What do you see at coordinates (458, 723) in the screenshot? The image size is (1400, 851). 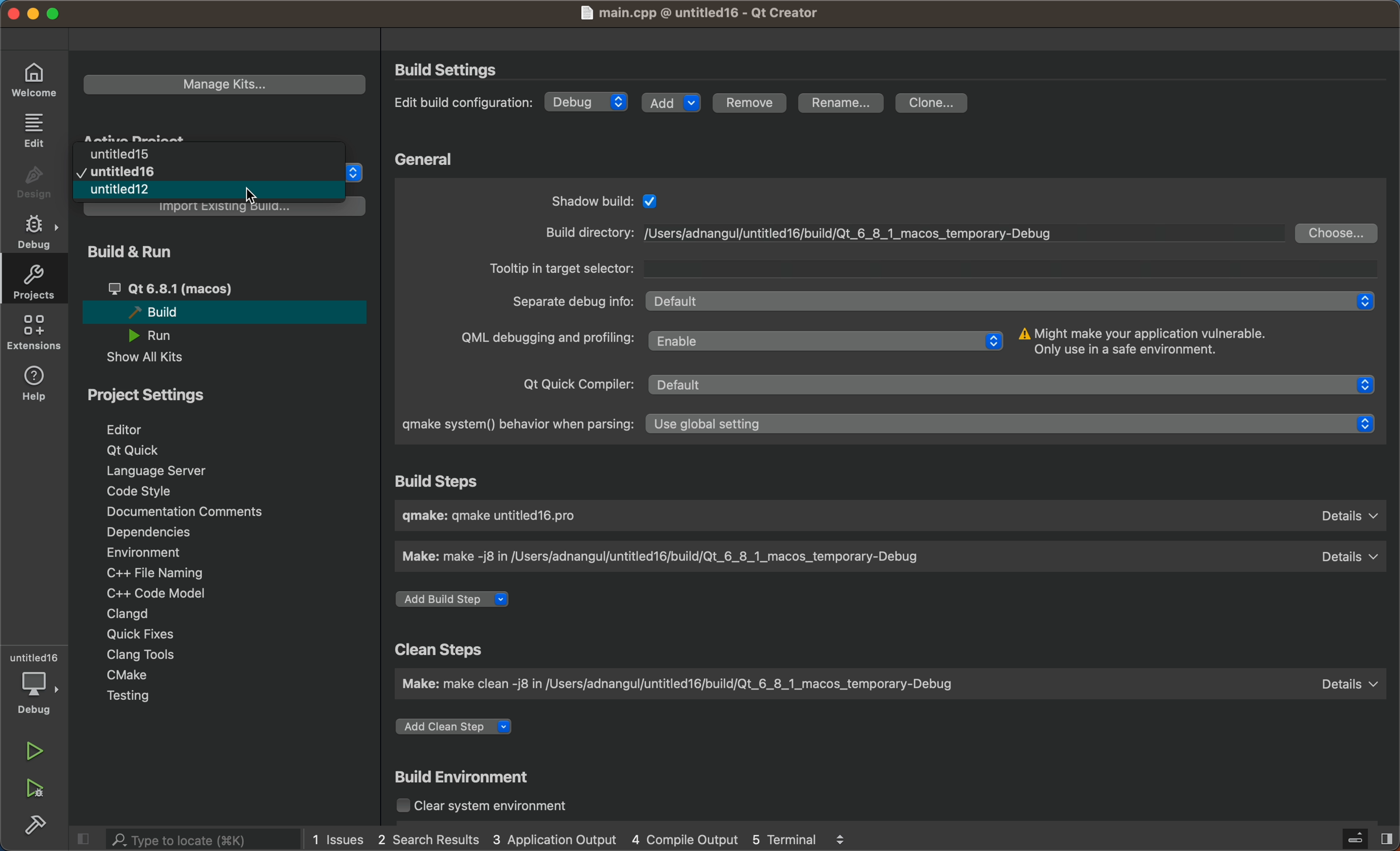 I see `add a step` at bounding box center [458, 723].